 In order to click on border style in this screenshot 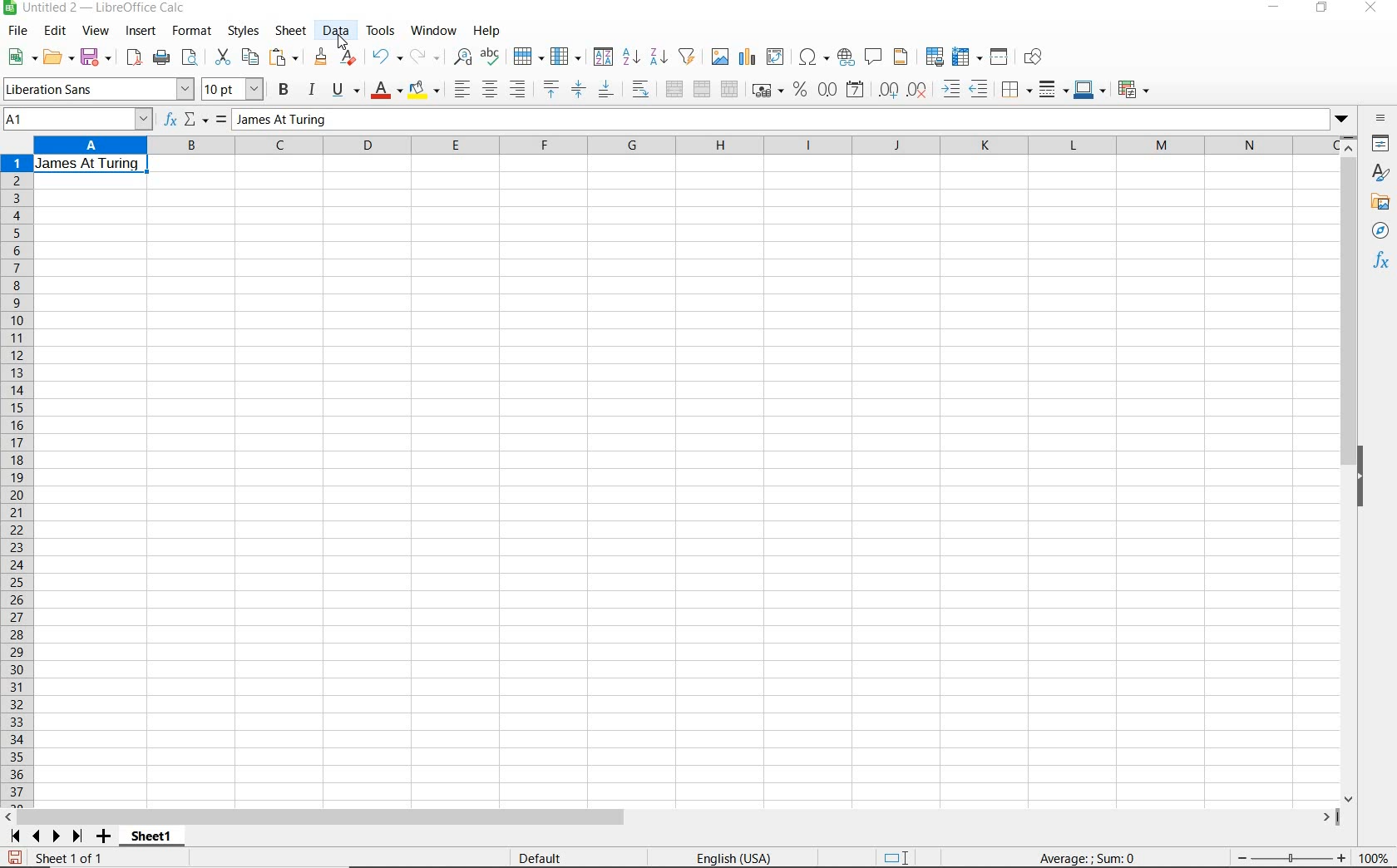, I will do `click(1054, 89)`.